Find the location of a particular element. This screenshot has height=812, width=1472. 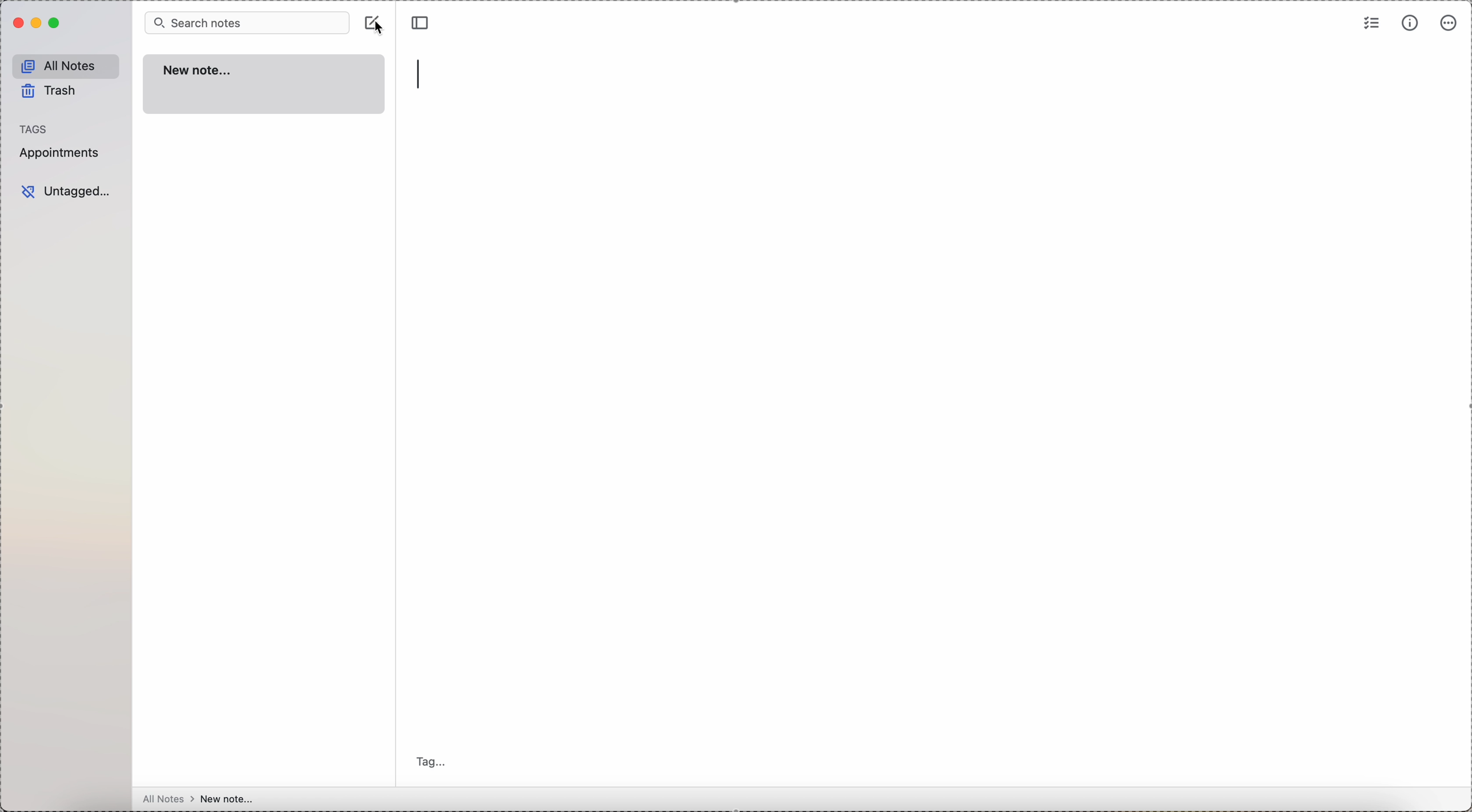

more options is located at coordinates (1447, 24).